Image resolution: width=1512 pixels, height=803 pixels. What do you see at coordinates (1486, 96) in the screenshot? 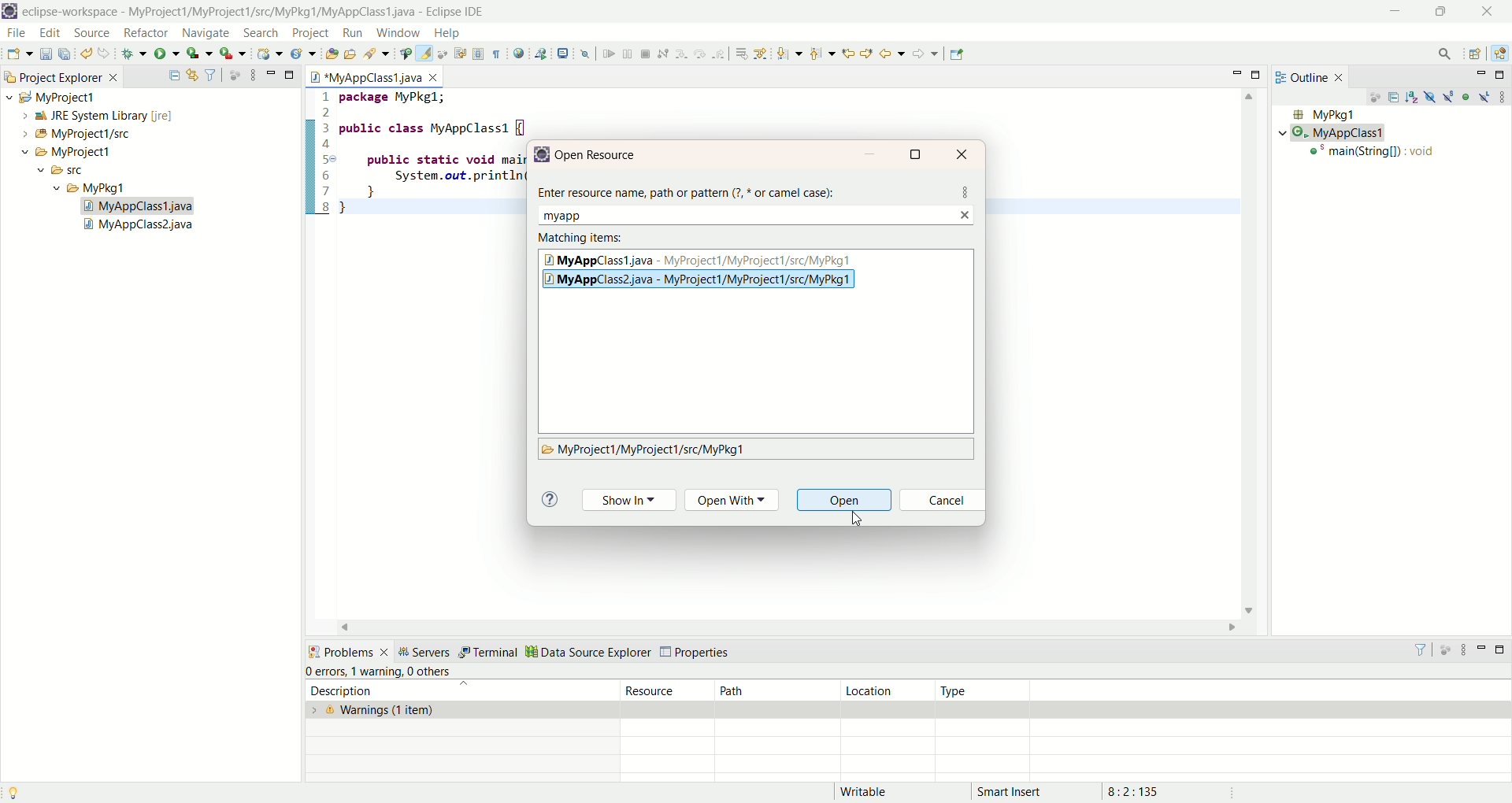
I see `hide local type` at bounding box center [1486, 96].